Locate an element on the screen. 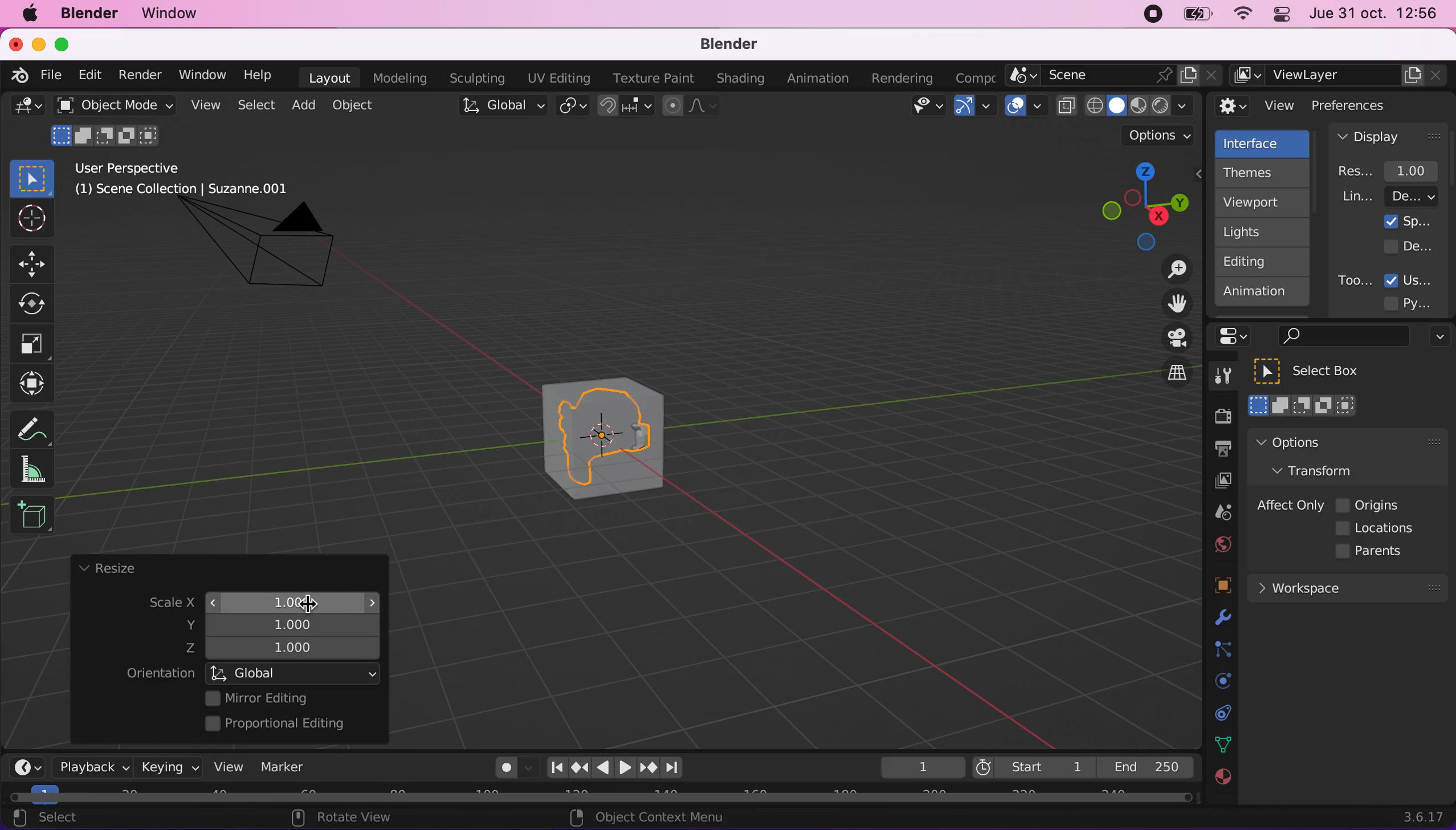 The height and width of the screenshot is (830, 1456). overlays is located at coordinates (1026, 107).